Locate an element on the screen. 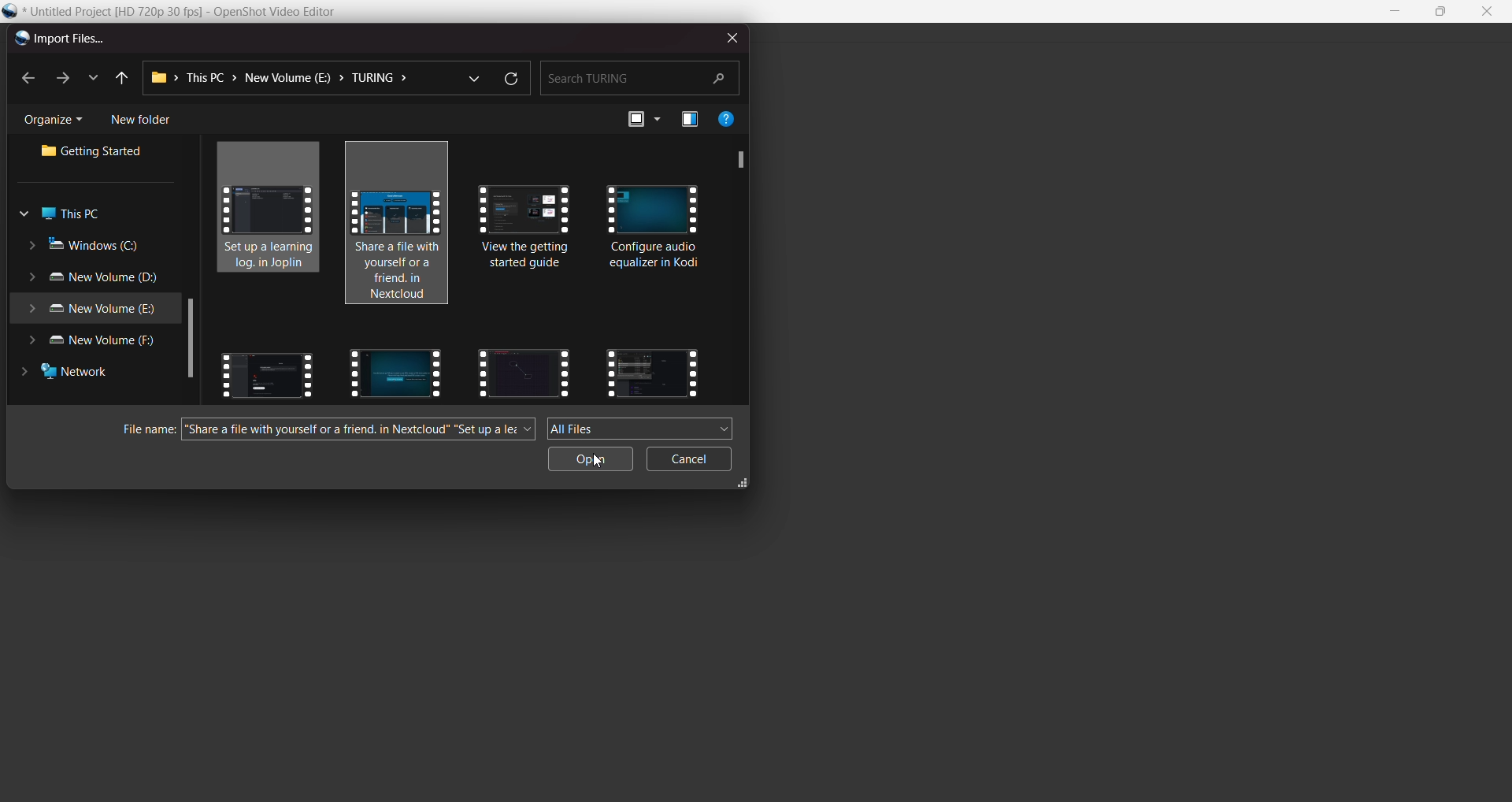 The width and height of the screenshot is (1512, 802). open option activated is located at coordinates (591, 459).